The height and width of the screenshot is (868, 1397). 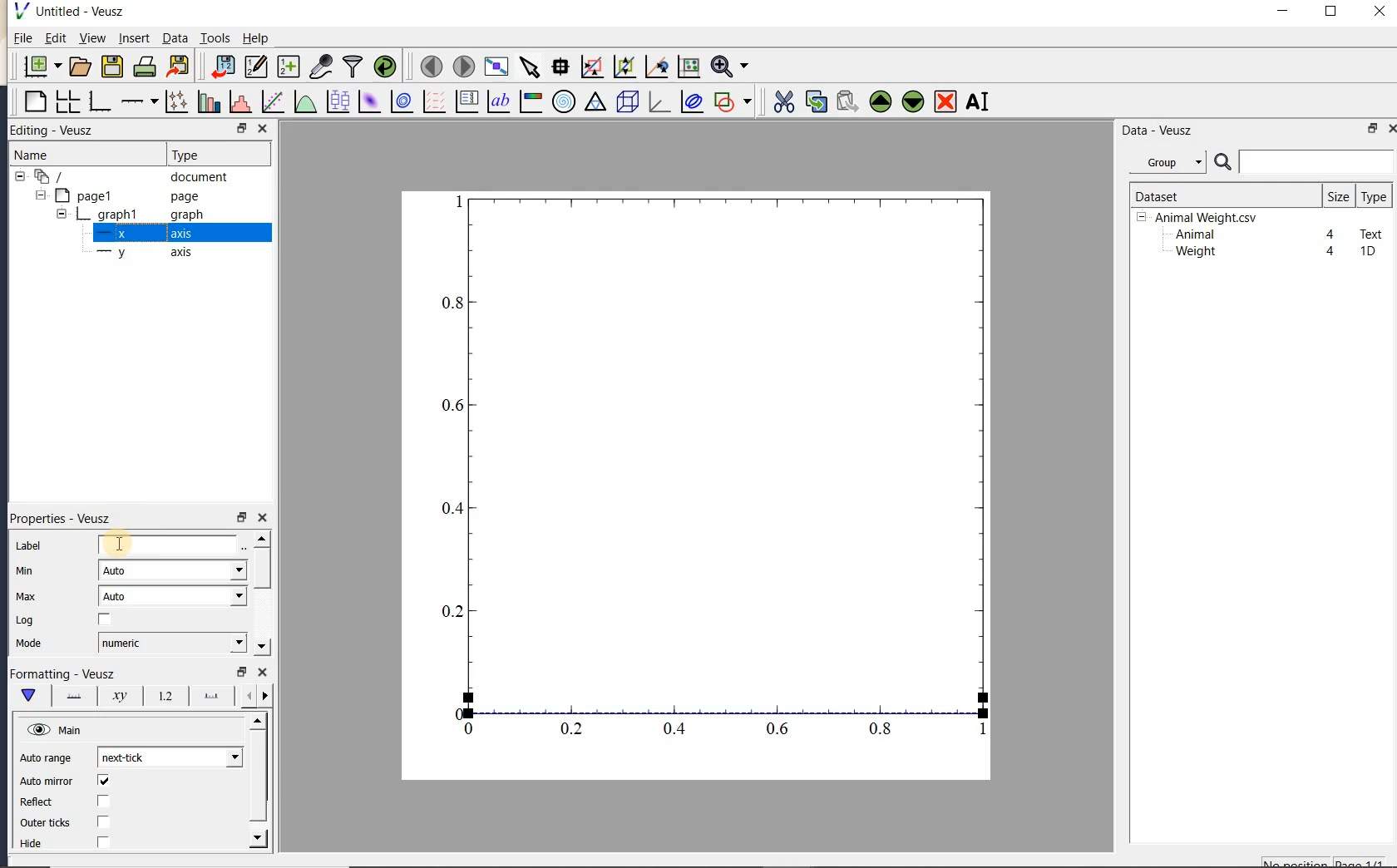 What do you see at coordinates (175, 37) in the screenshot?
I see `Data` at bounding box center [175, 37].